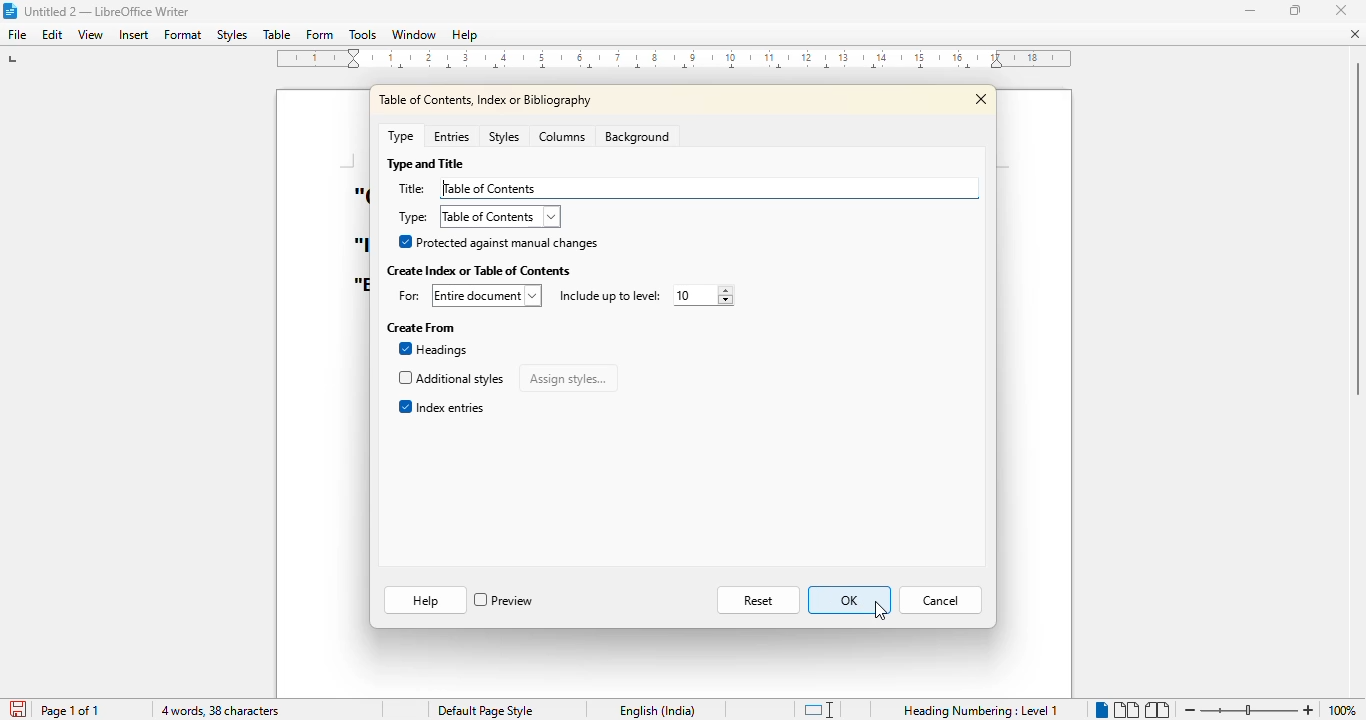  I want to click on help, so click(425, 601).